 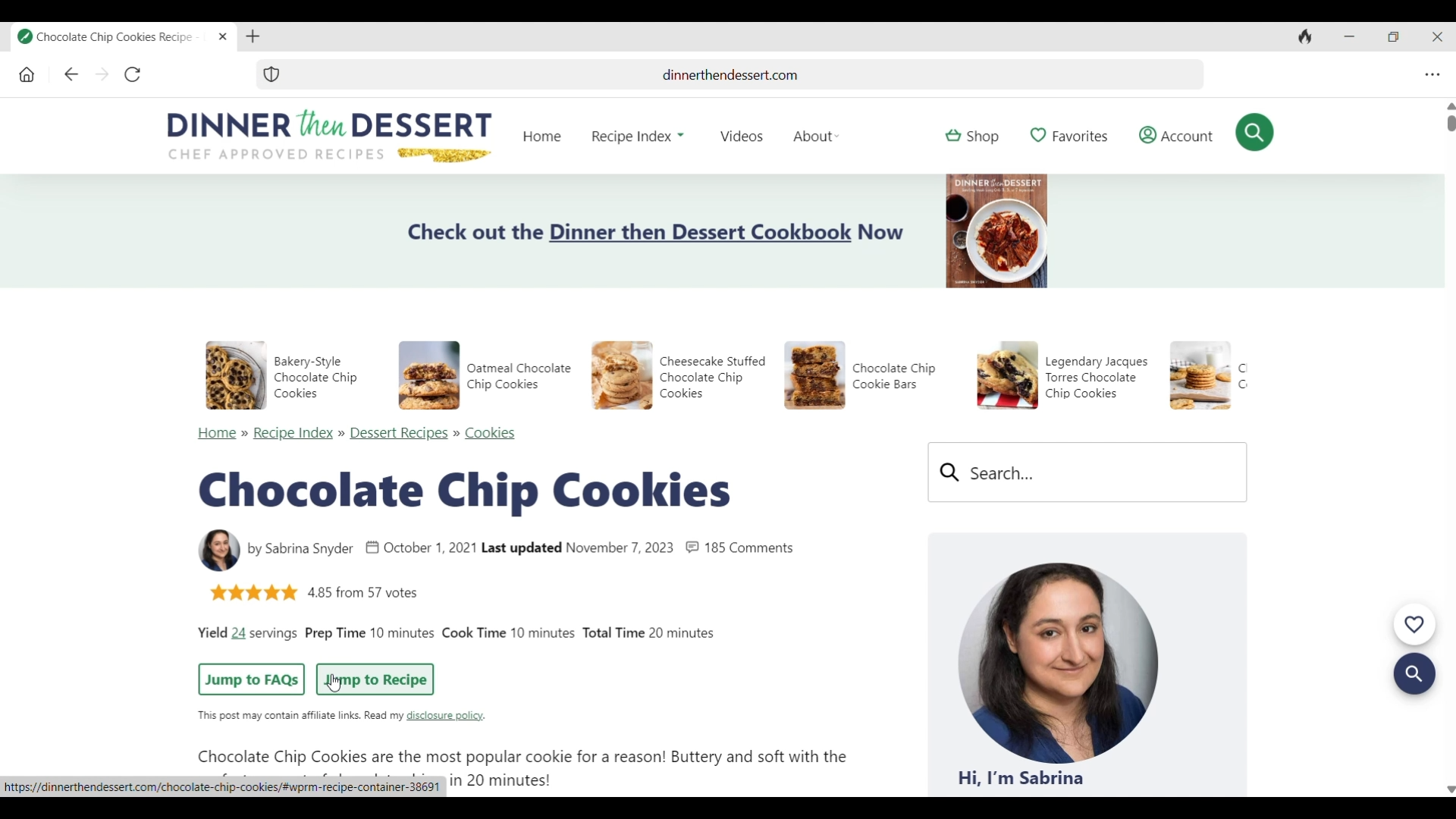 What do you see at coordinates (131, 75) in the screenshot?
I see `Reload page` at bounding box center [131, 75].